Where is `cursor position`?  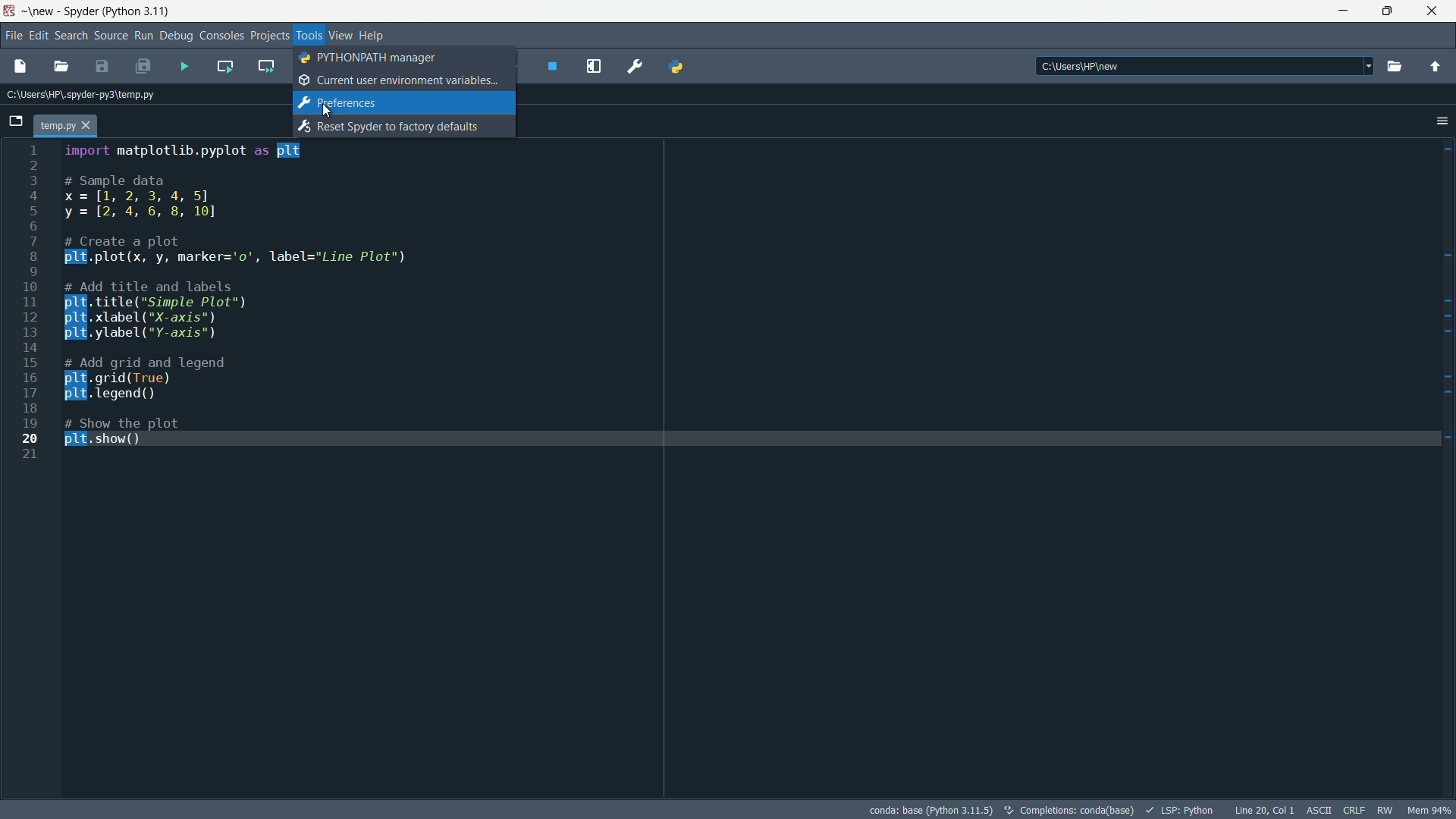
cursor position is located at coordinates (1264, 810).